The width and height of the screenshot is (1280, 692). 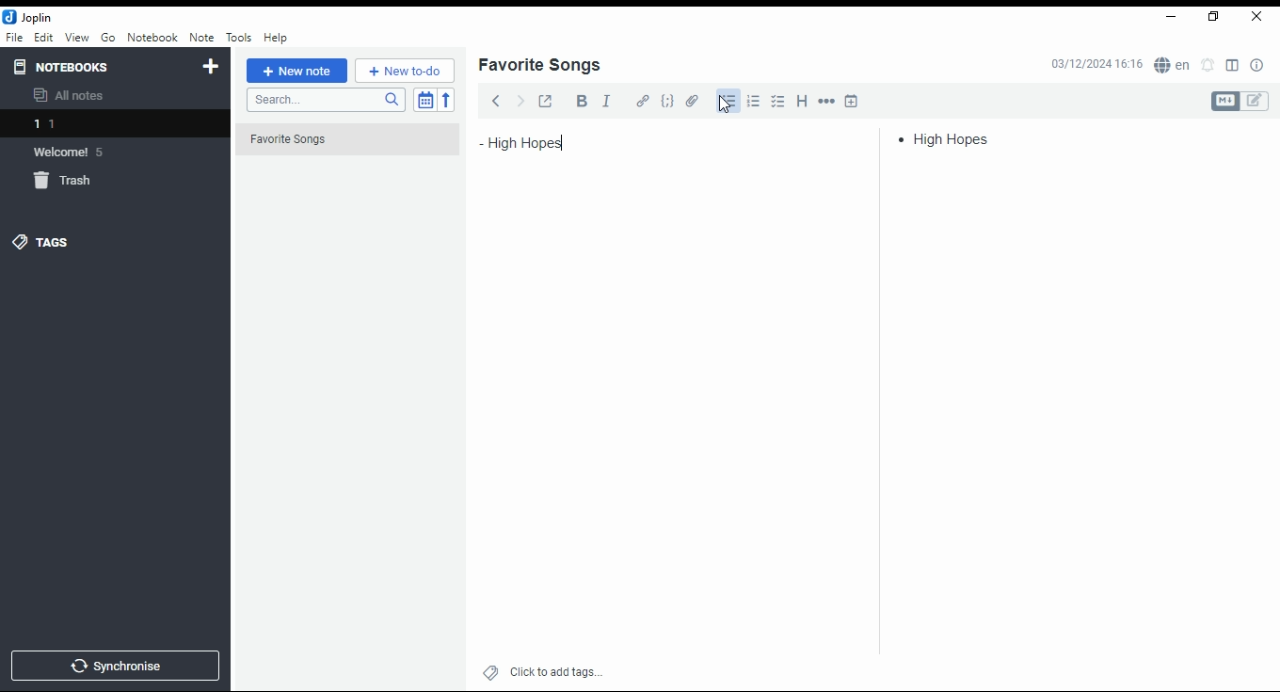 I want to click on hyperlink, so click(x=643, y=100).